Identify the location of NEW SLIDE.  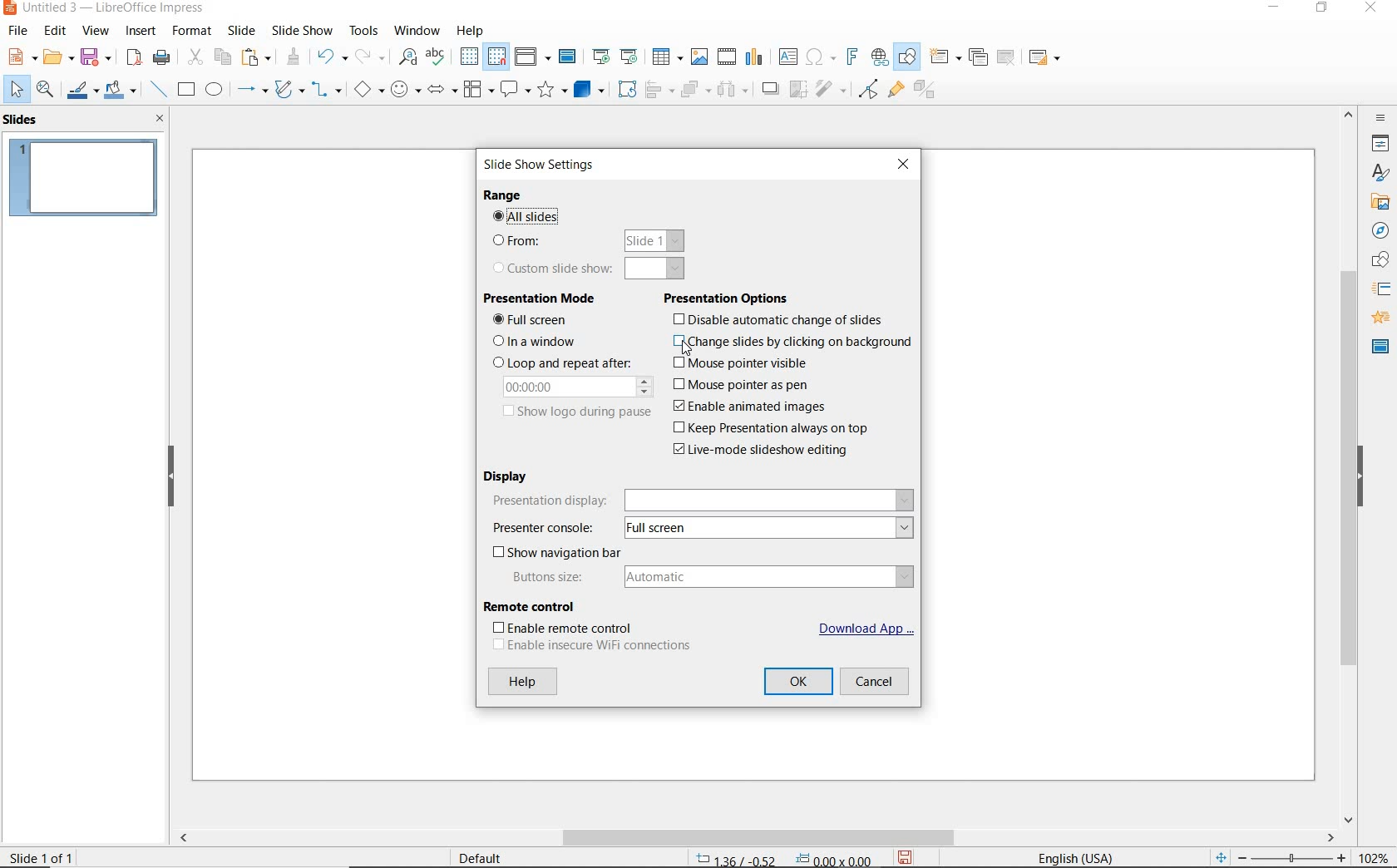
(945, 57).